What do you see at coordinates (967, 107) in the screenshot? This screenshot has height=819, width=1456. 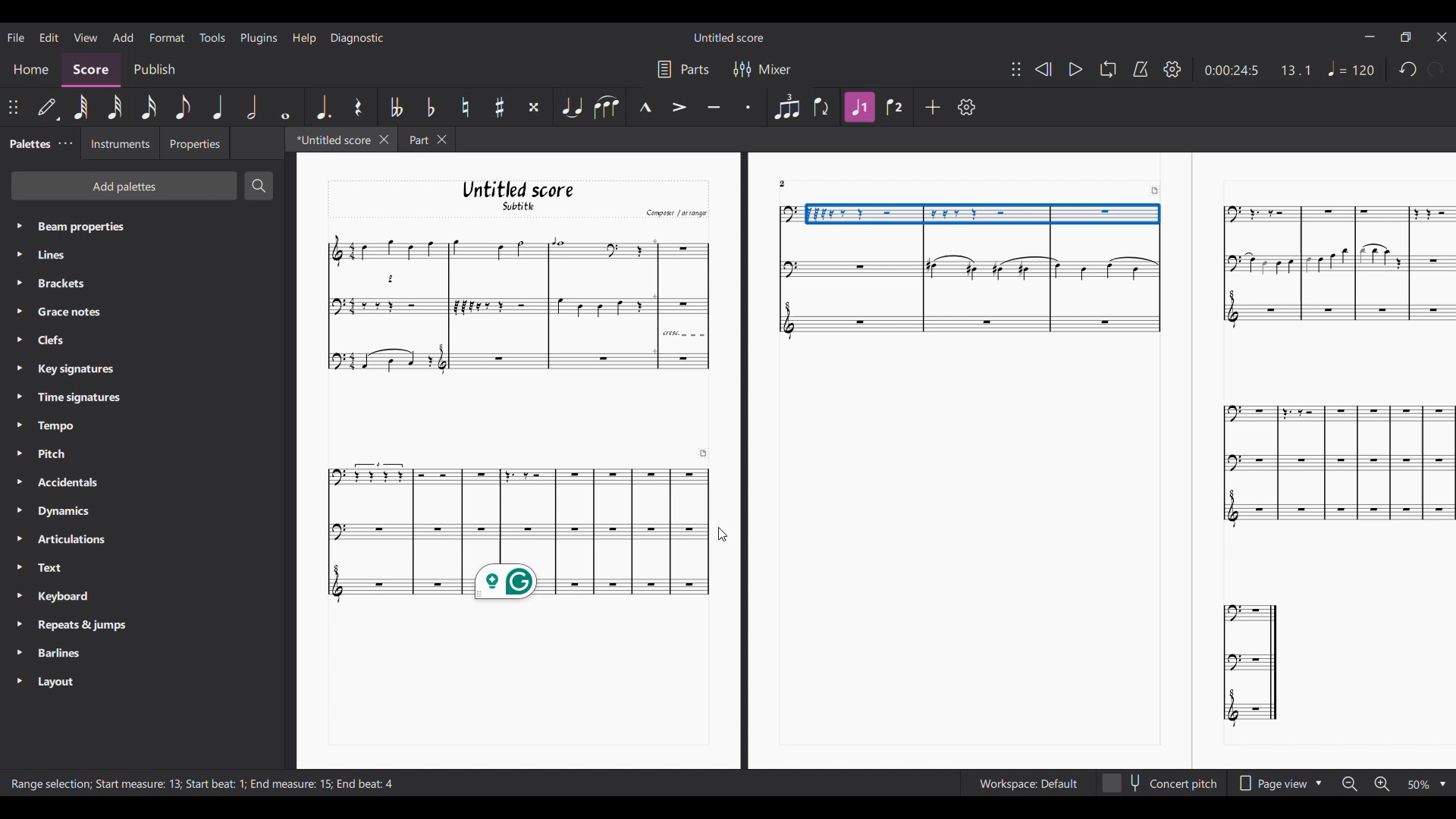 I see `Settings` at bounding box center [967, 107].